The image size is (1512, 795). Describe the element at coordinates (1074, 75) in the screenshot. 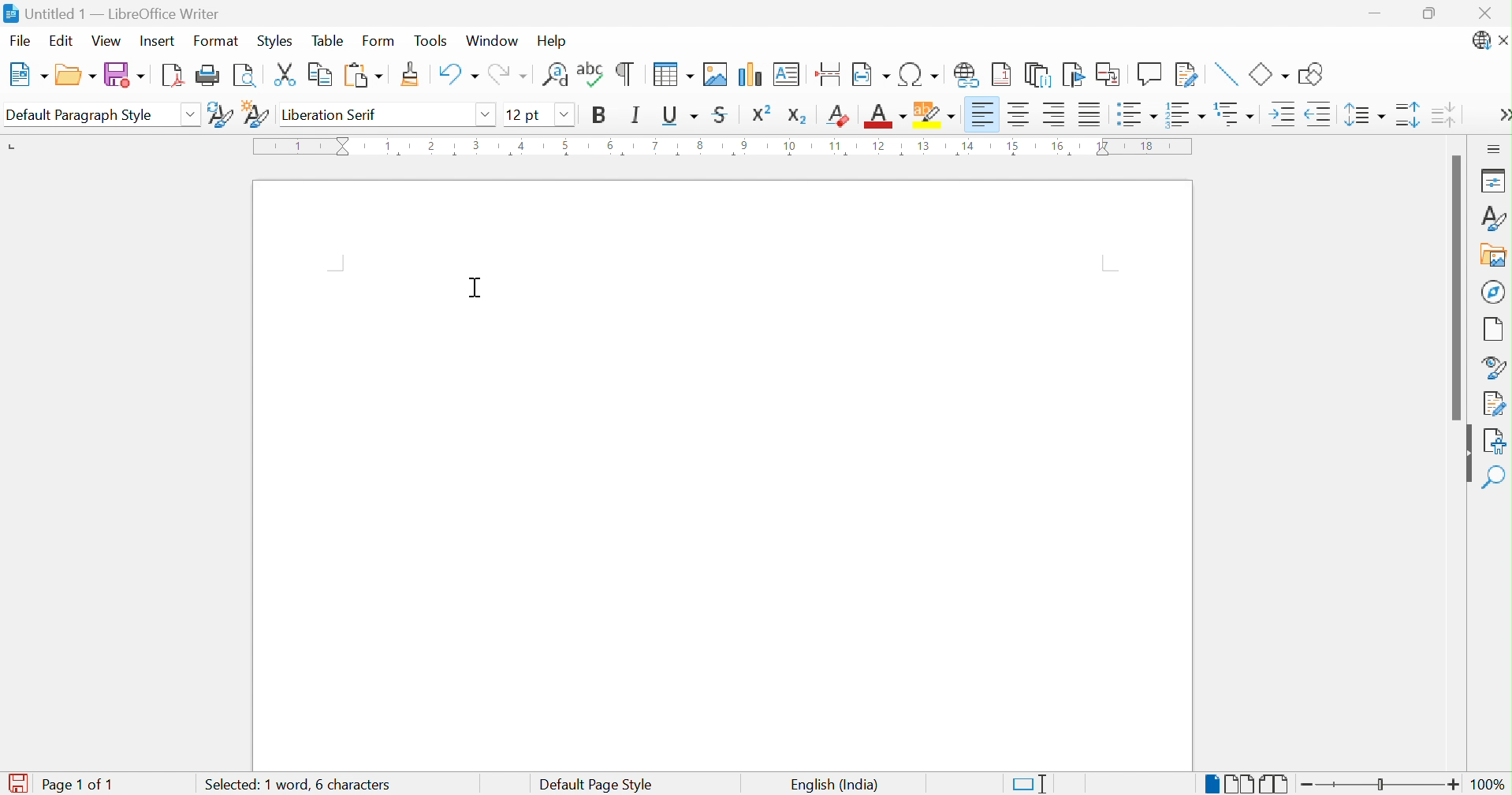

I see `Insert Bookmark` at that location.